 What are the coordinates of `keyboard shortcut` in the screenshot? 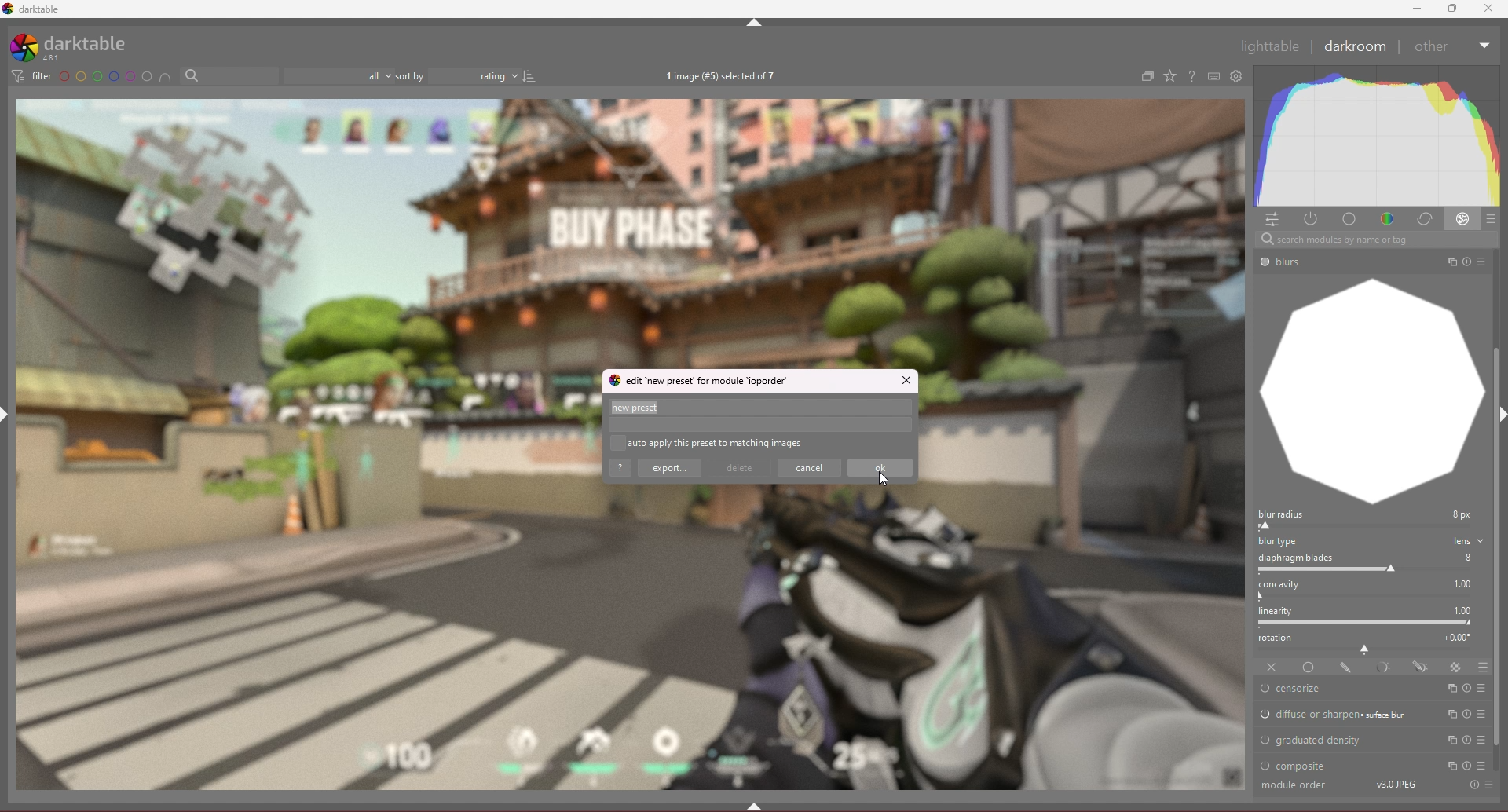 It's located at (1214, 76).